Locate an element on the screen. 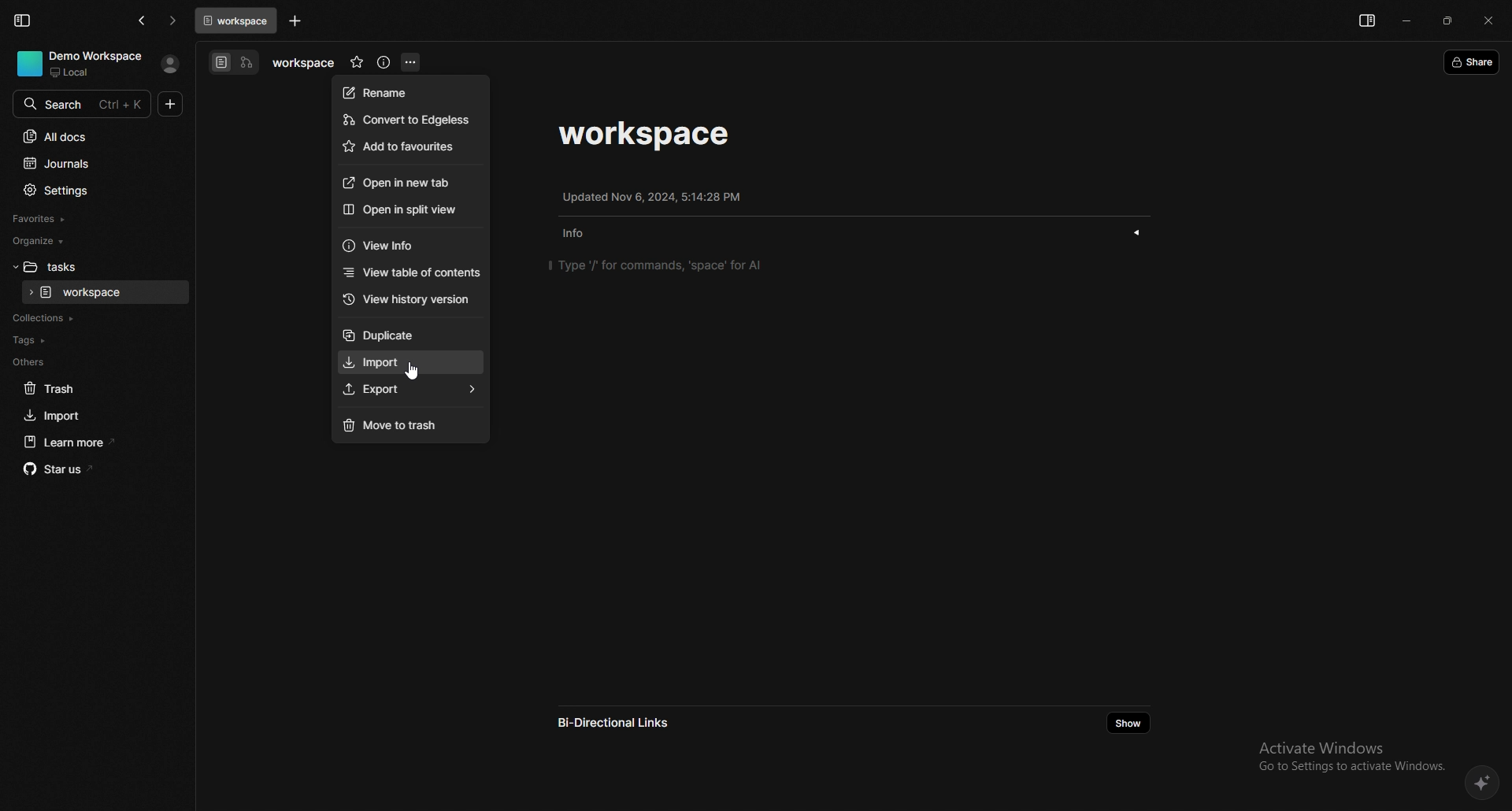  favourite is located at coordinates (356, 63).